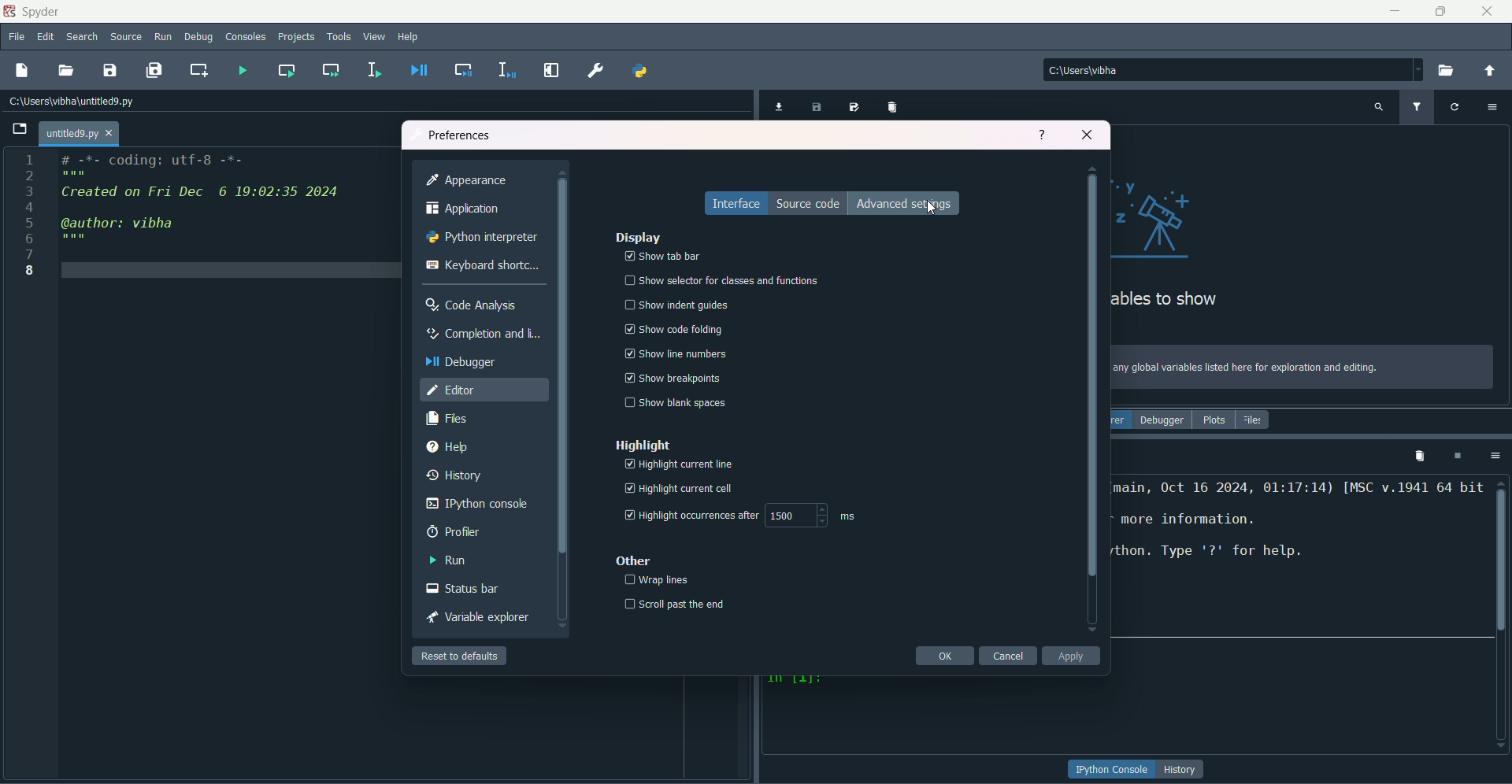  I want to click on profiler, so click(450, 533).